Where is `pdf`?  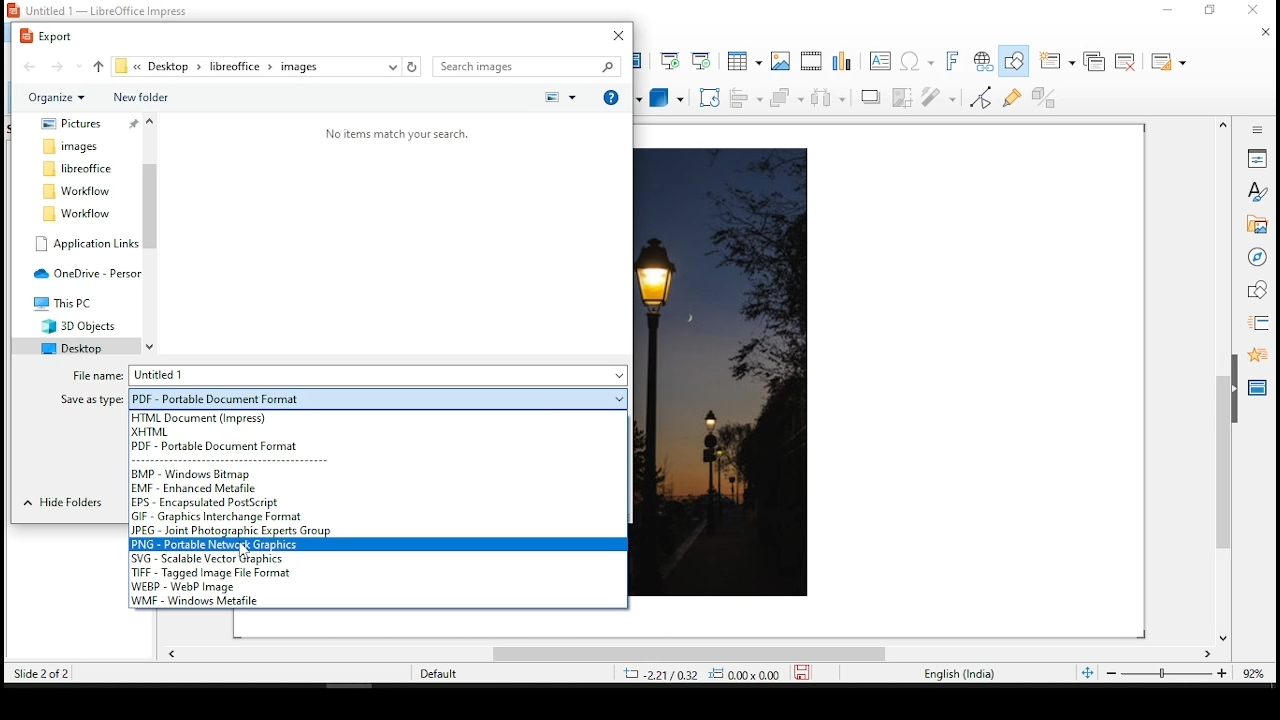
pdf is located at coordinates (217, 447).